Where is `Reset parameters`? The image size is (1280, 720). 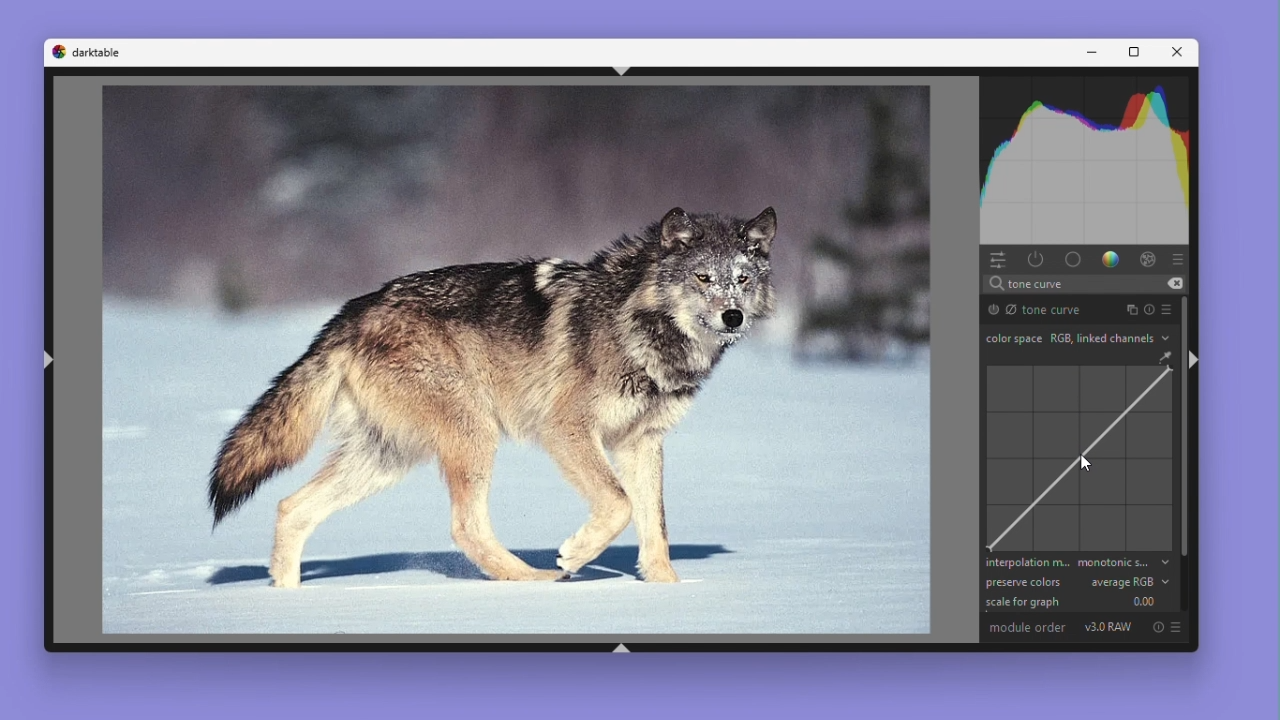
Reset parameters is located at coordinates (1150, 309).